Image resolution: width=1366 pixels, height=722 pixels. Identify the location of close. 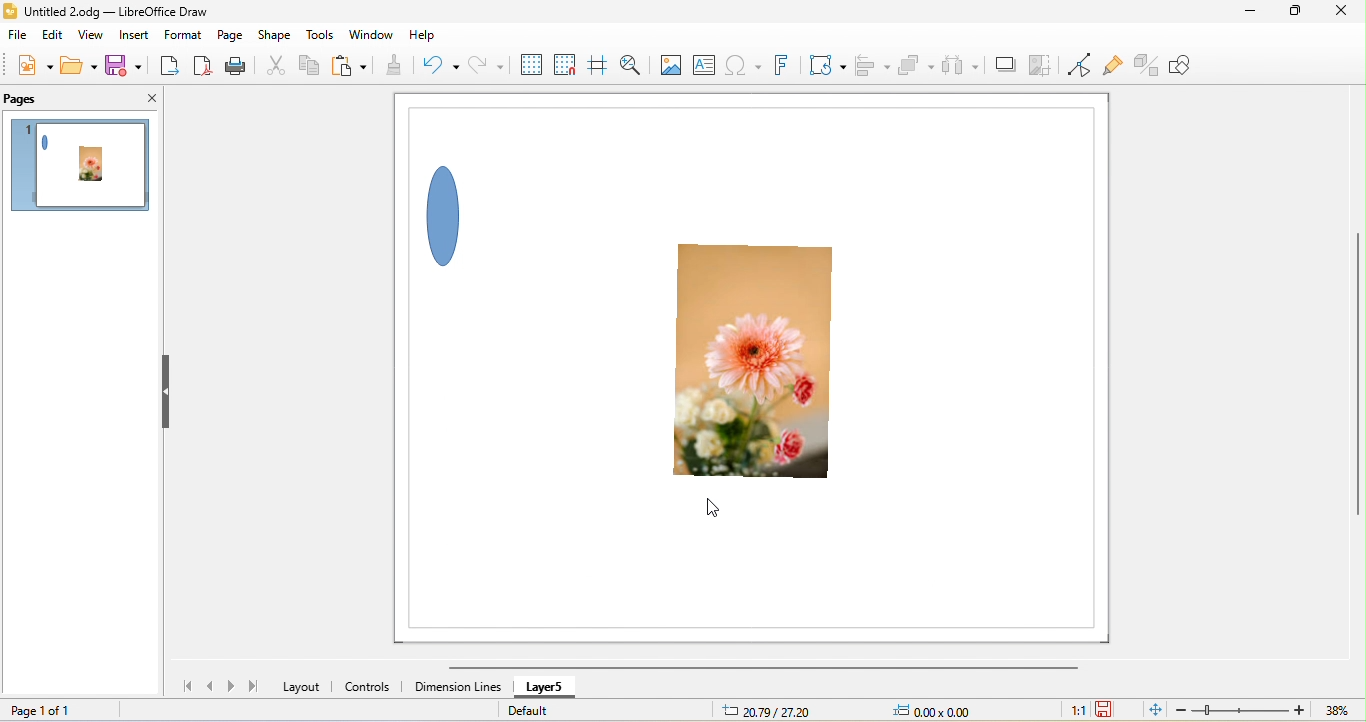
(1339, 14).